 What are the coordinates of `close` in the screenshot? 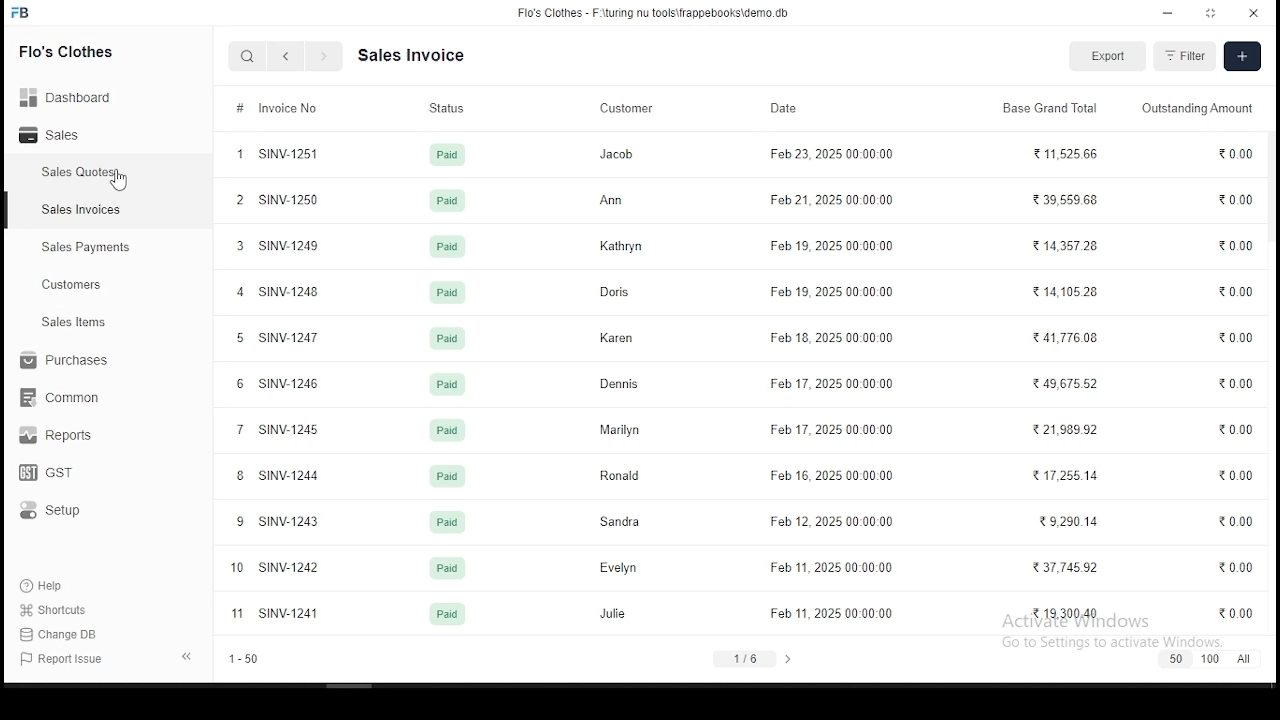 It's located at (1254, 12).